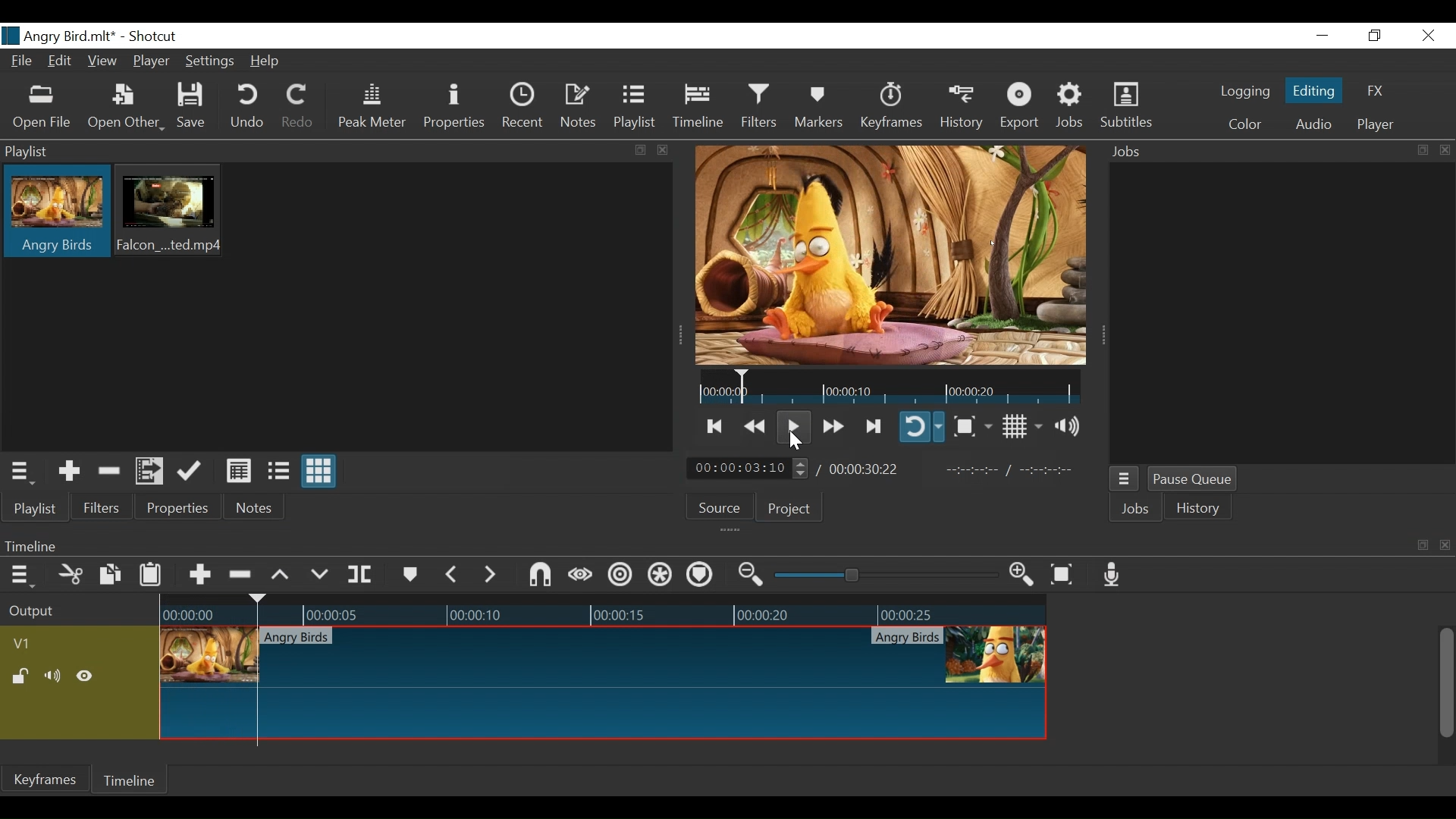 The height and width of the screenshot is (819, 1456). What do you see at coordinates (894, 387) in the screenshot?
I see `timeline` at bounding box center [894, 387].